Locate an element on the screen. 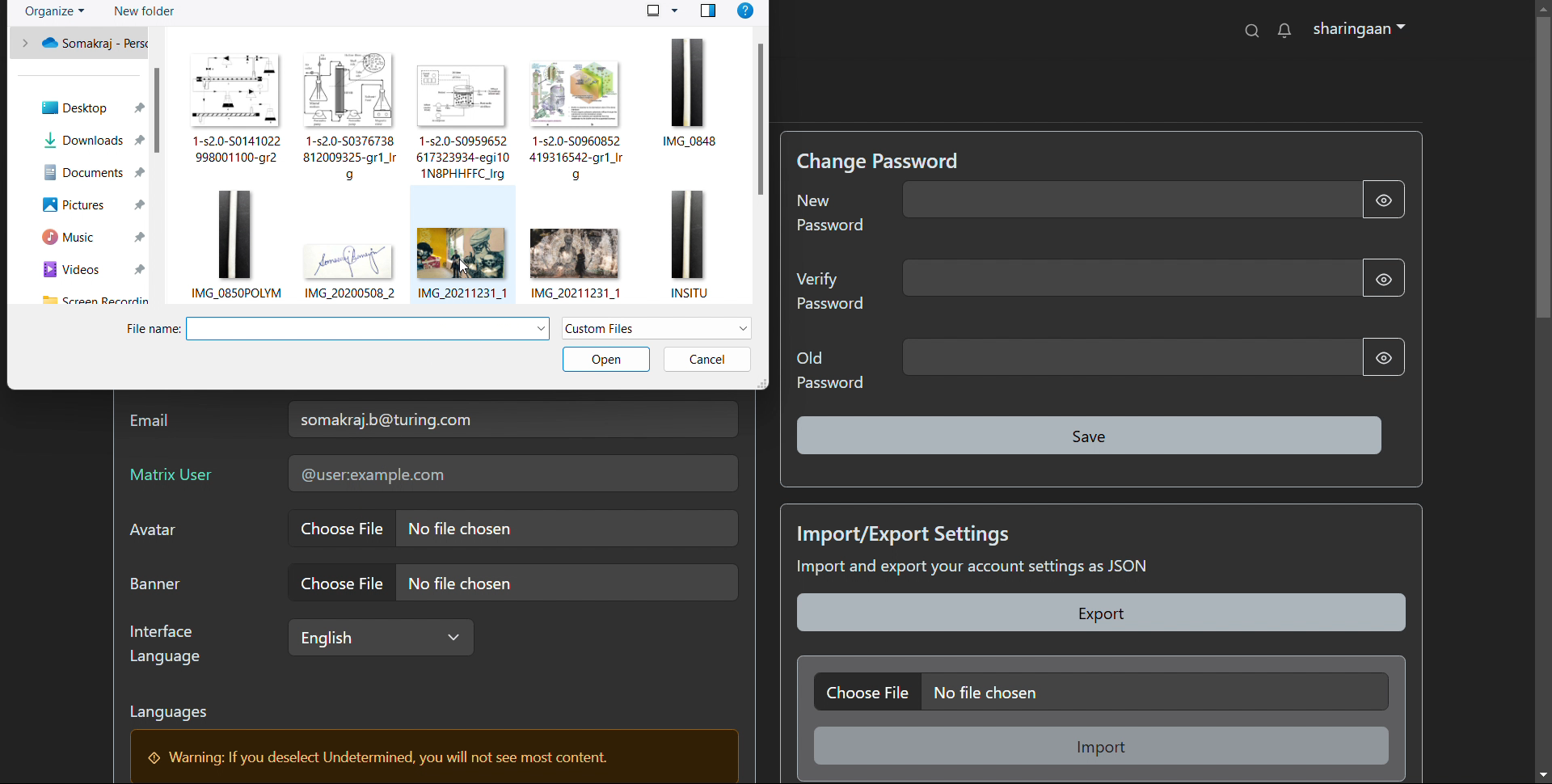 This screenshot has width=1552, height=784. Interface Language is located at coordinates (171, 644).